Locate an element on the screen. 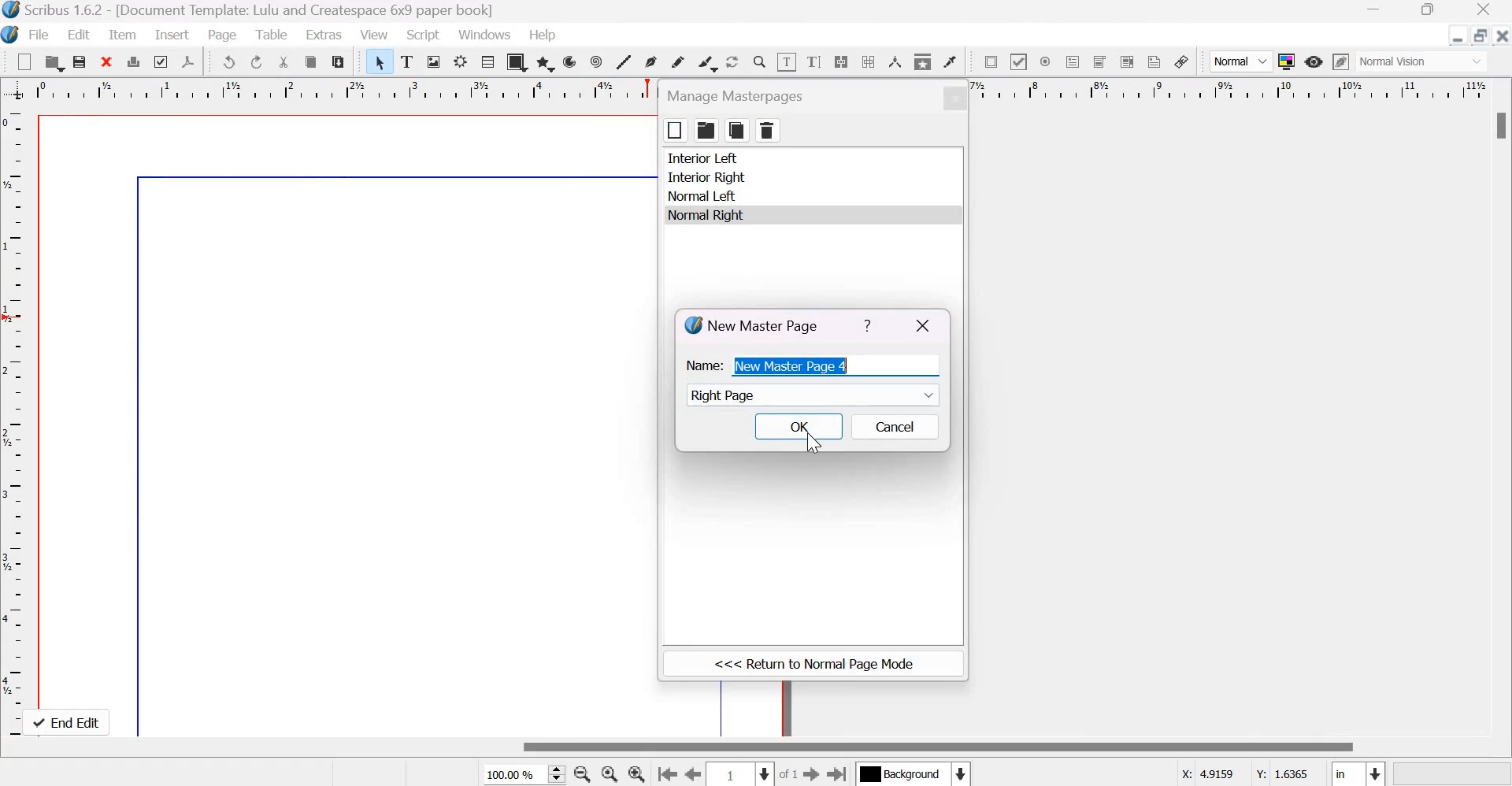 The height and width of the screenshot is (786, 1512). close is located at coordinates (925, 325).